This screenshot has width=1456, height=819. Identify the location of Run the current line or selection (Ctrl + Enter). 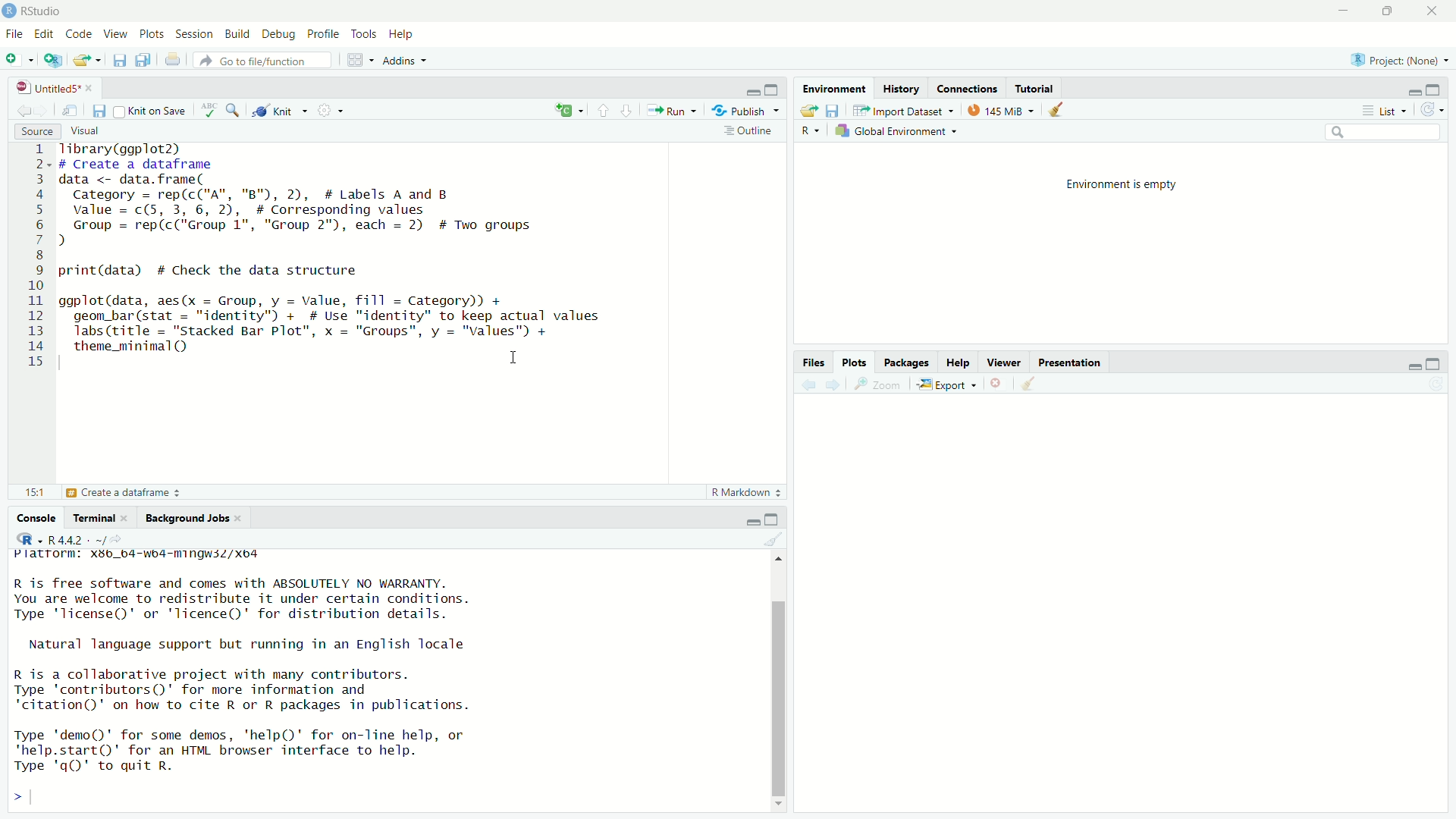
(674, 109).